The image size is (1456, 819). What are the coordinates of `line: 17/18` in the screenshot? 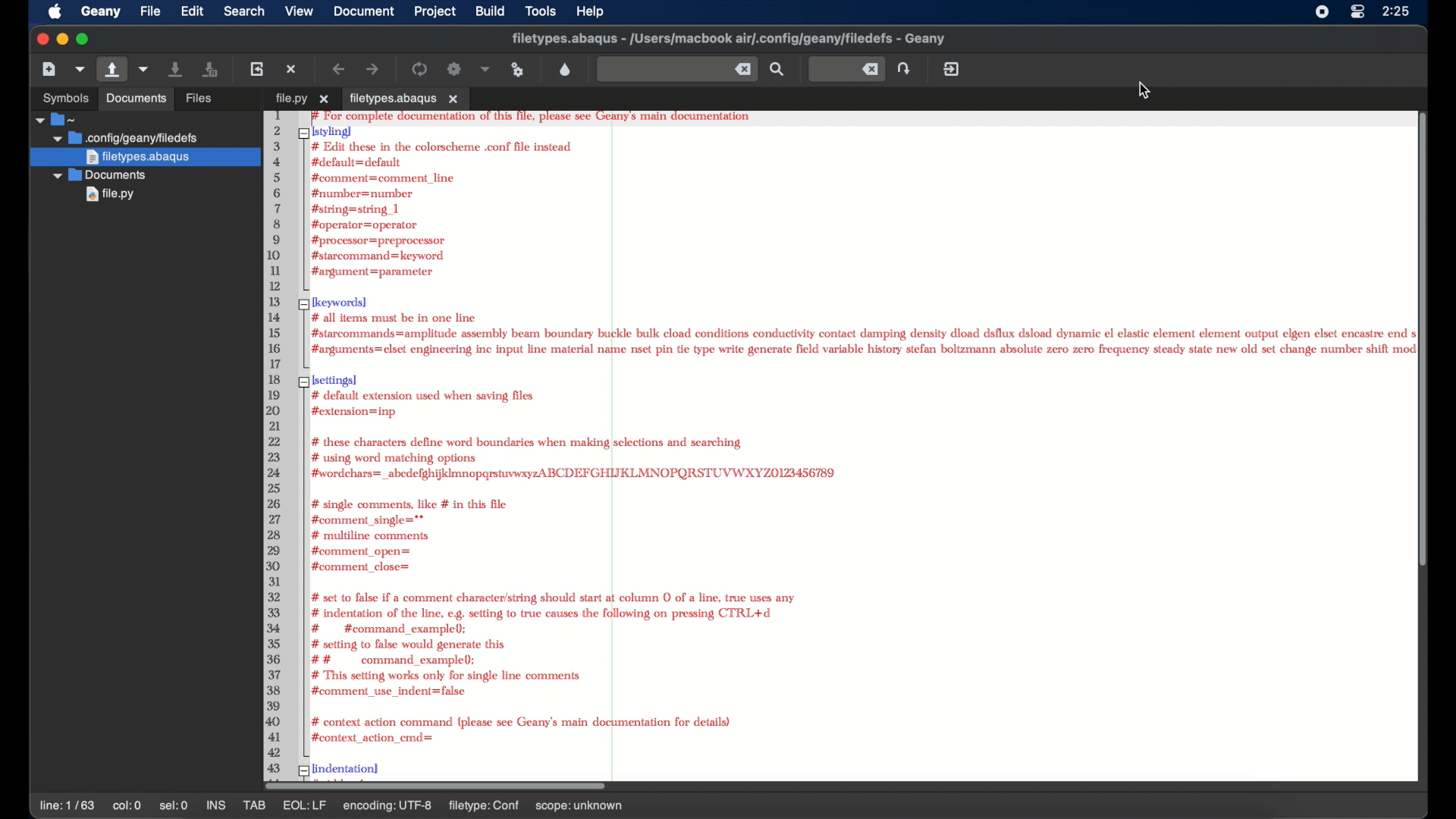 It's located at (69, 806).